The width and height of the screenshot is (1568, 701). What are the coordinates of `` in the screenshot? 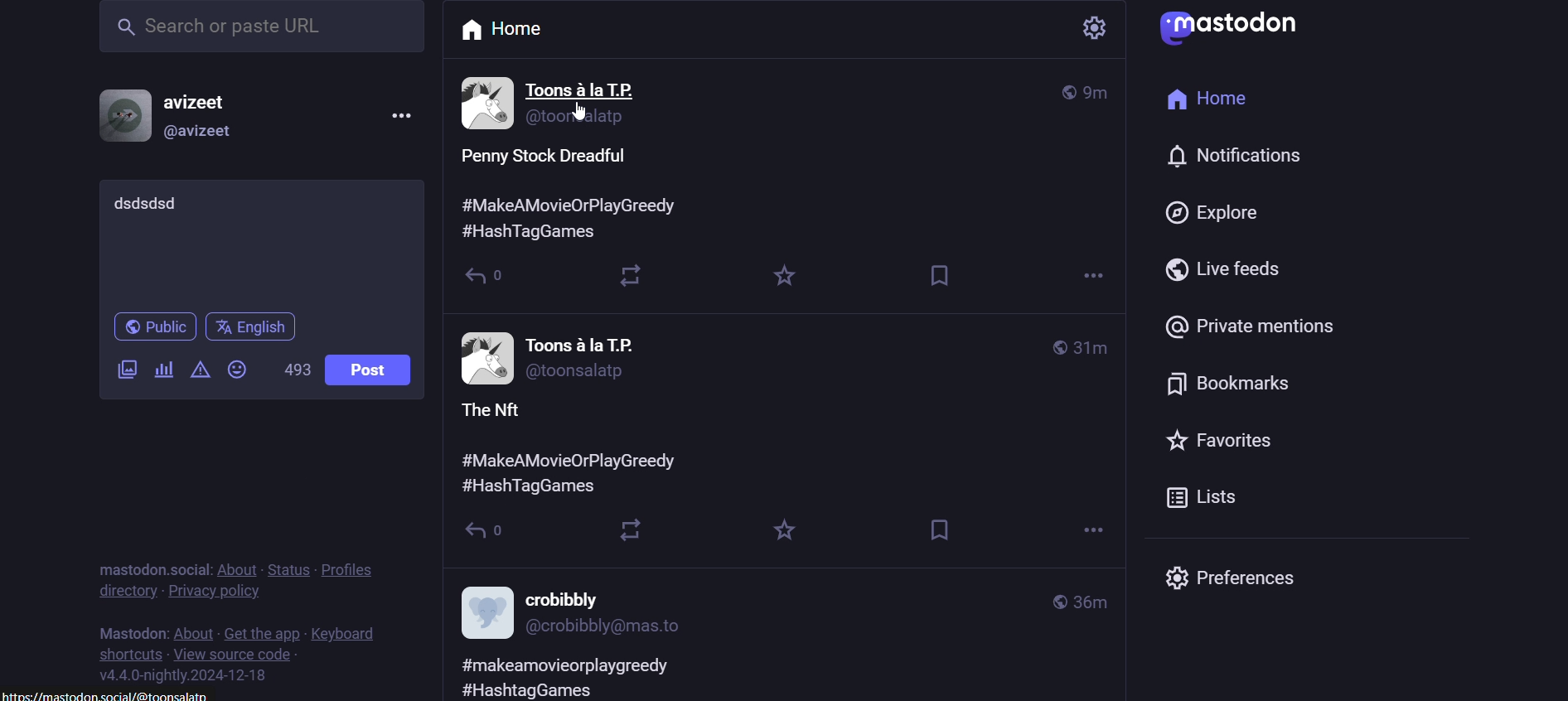 It's located at (530, 231).